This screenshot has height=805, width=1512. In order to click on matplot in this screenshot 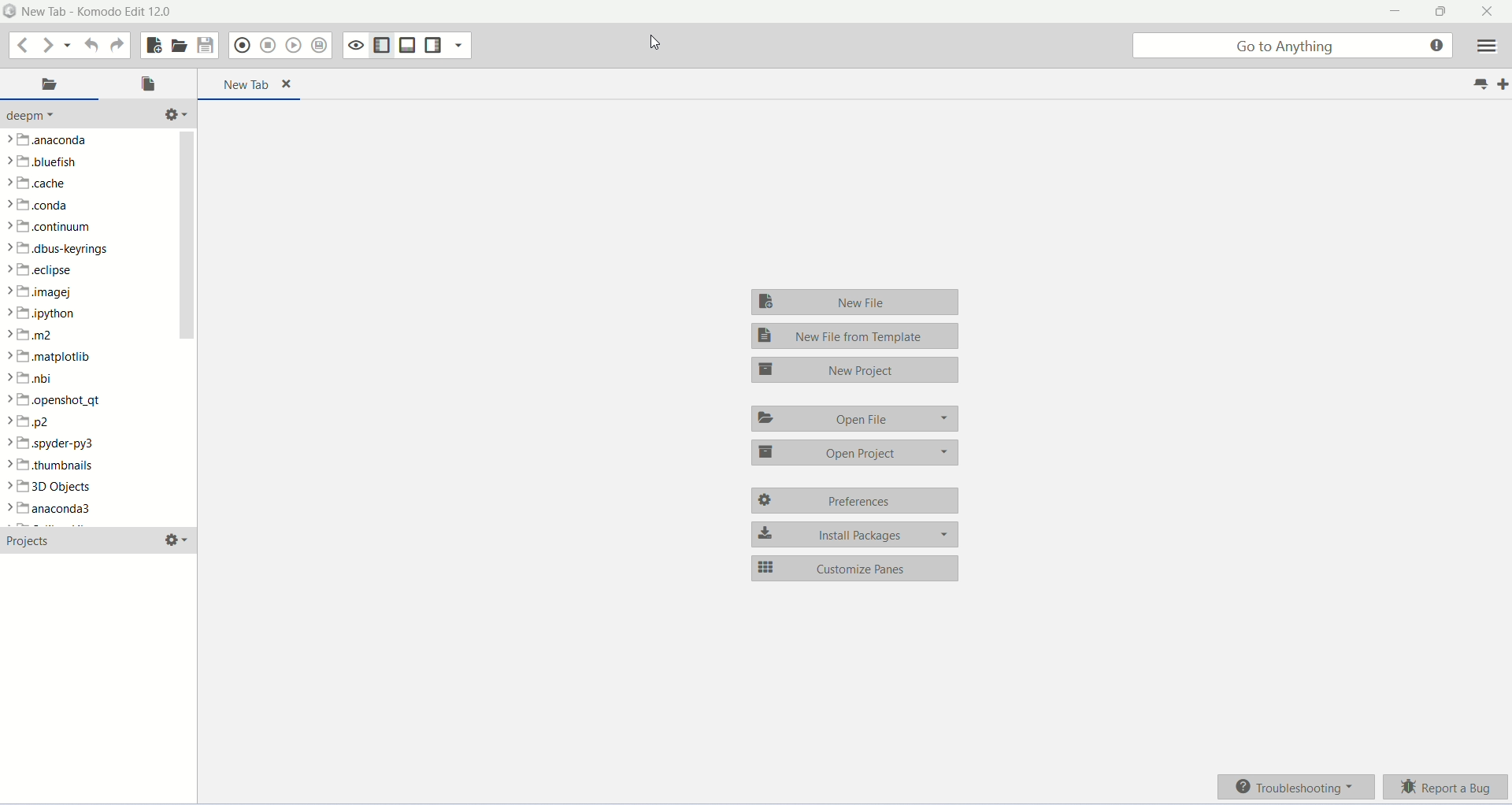, I will do `click(53, 357)`.